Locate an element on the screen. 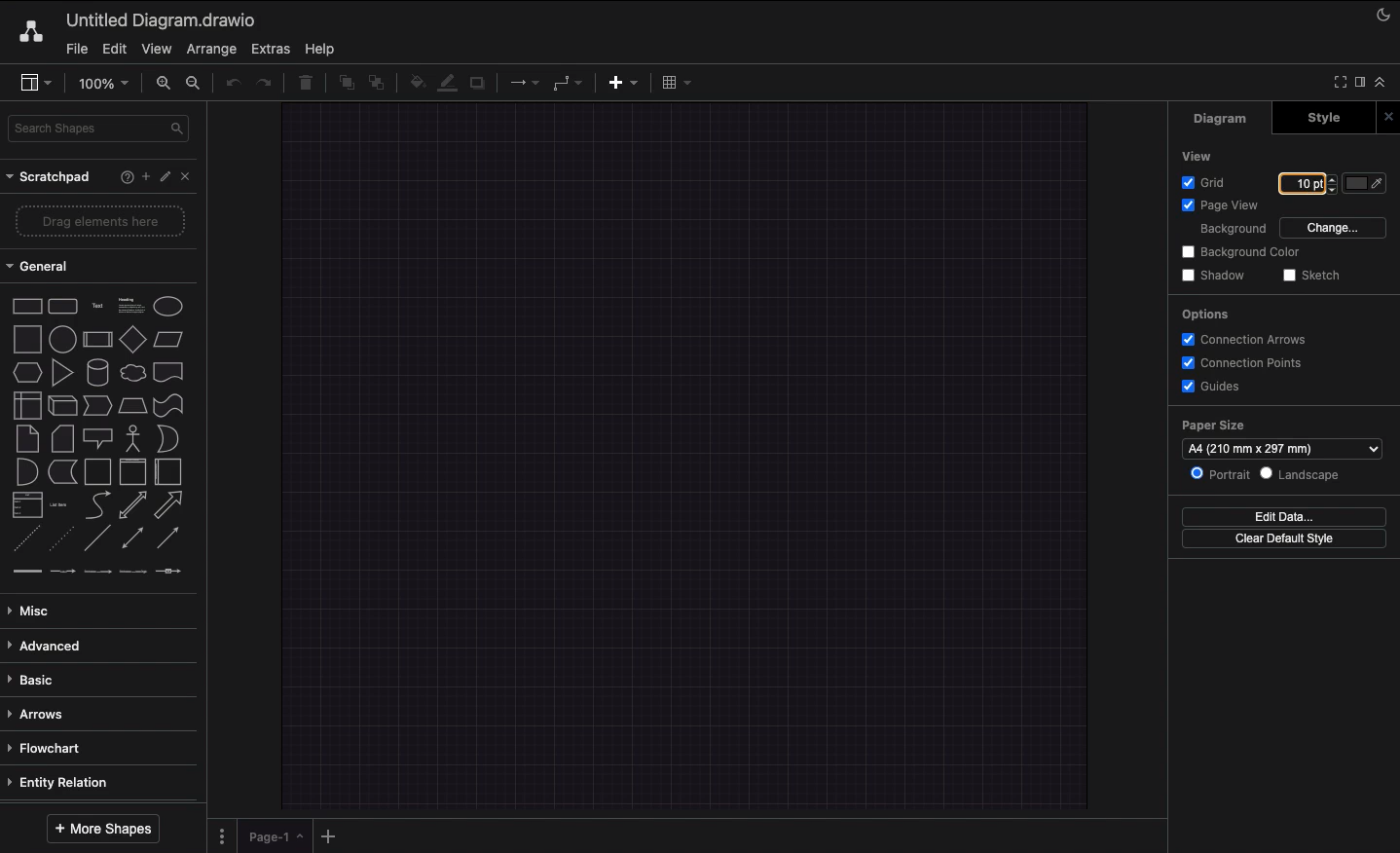 The width and height of the screenshot is (1400, 853). Move to front is located at coordinates (343, 86).